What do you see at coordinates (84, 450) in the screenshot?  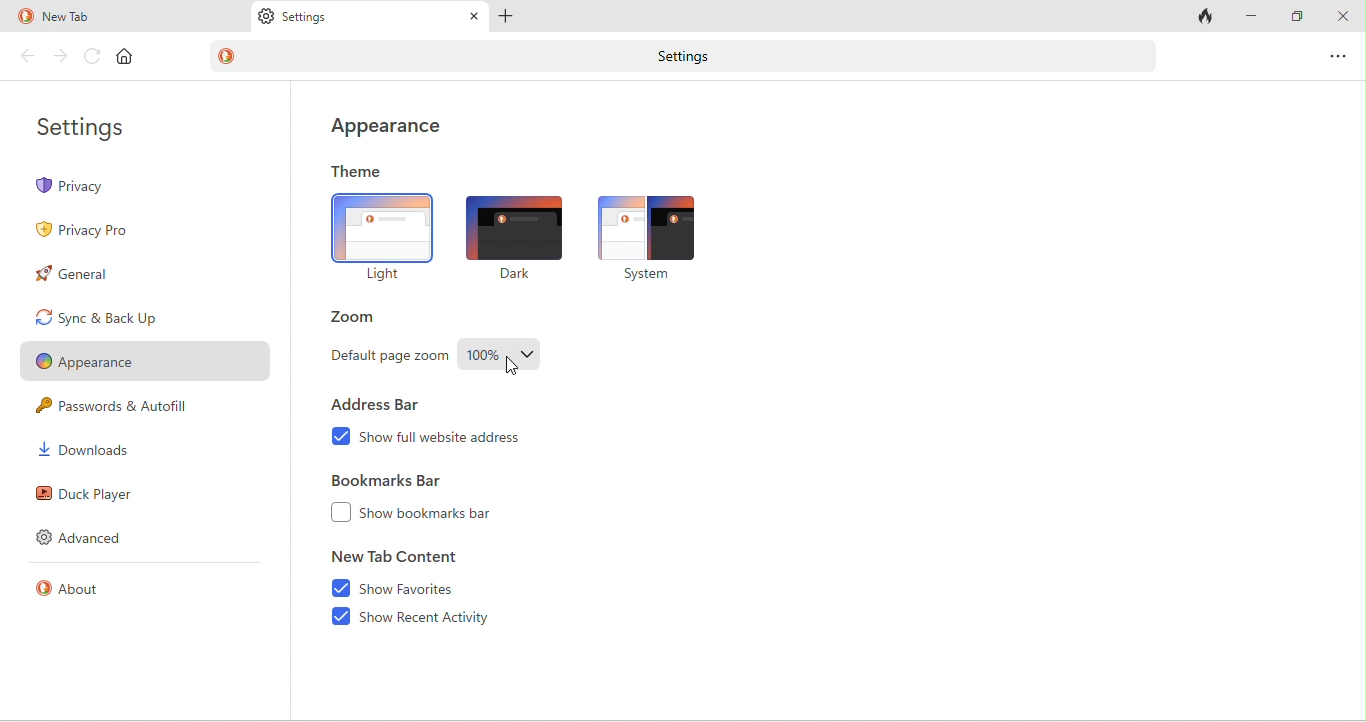 I see `downloads` at bounding box center [84, 450].